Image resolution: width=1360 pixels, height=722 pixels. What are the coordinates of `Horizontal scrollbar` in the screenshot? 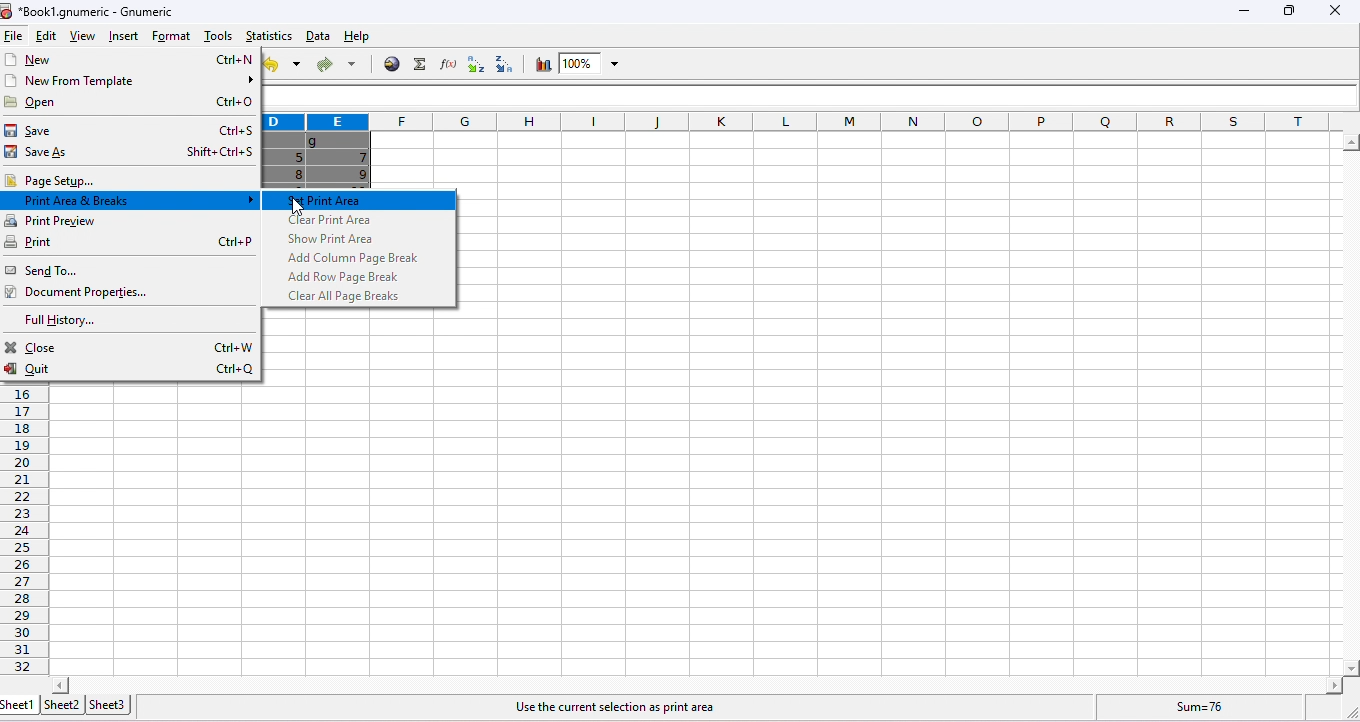 It's located at (697, 684).